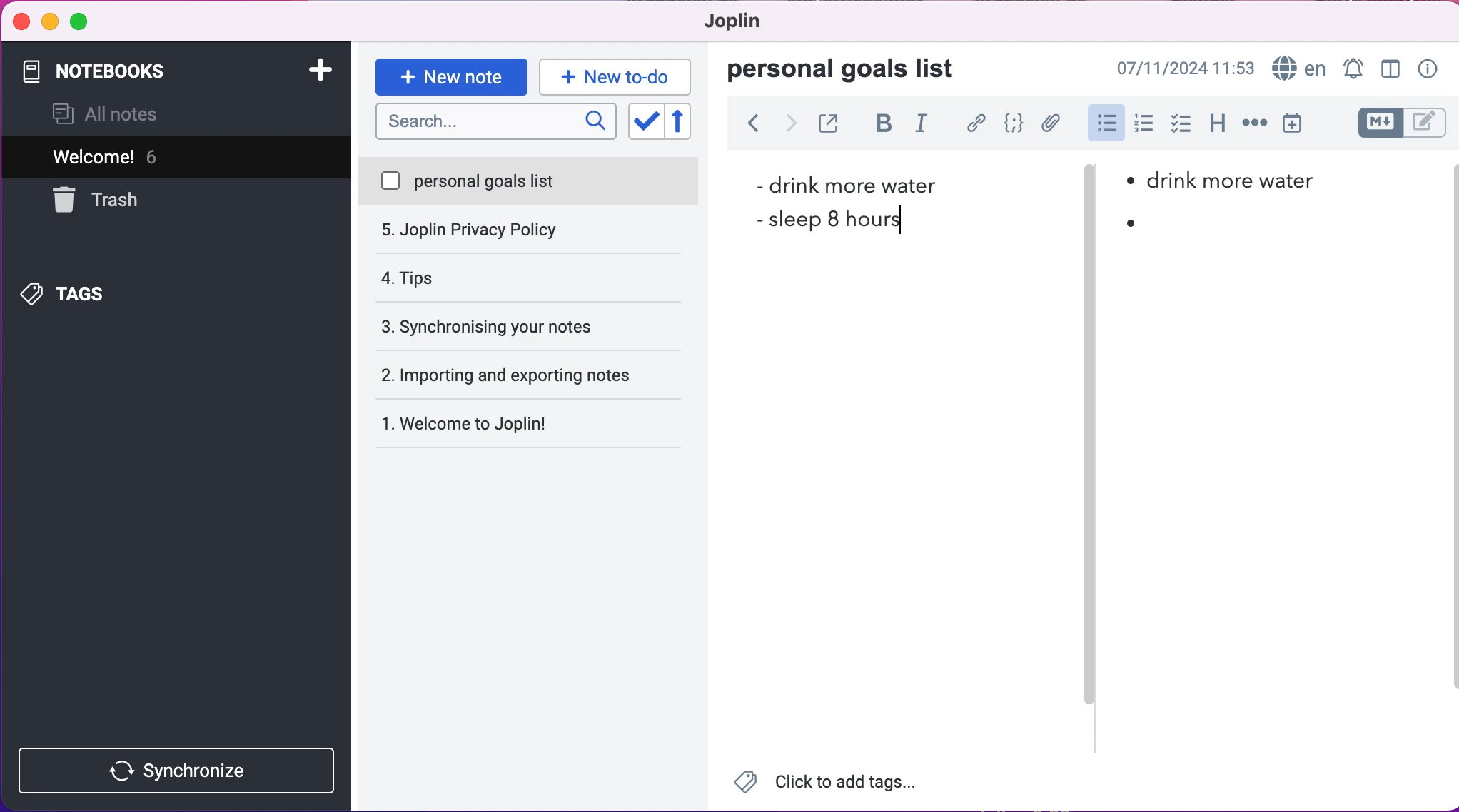 The width and height of the screenshot is (1459, 812). I want to click on numbered lists, so click(1144, 126).